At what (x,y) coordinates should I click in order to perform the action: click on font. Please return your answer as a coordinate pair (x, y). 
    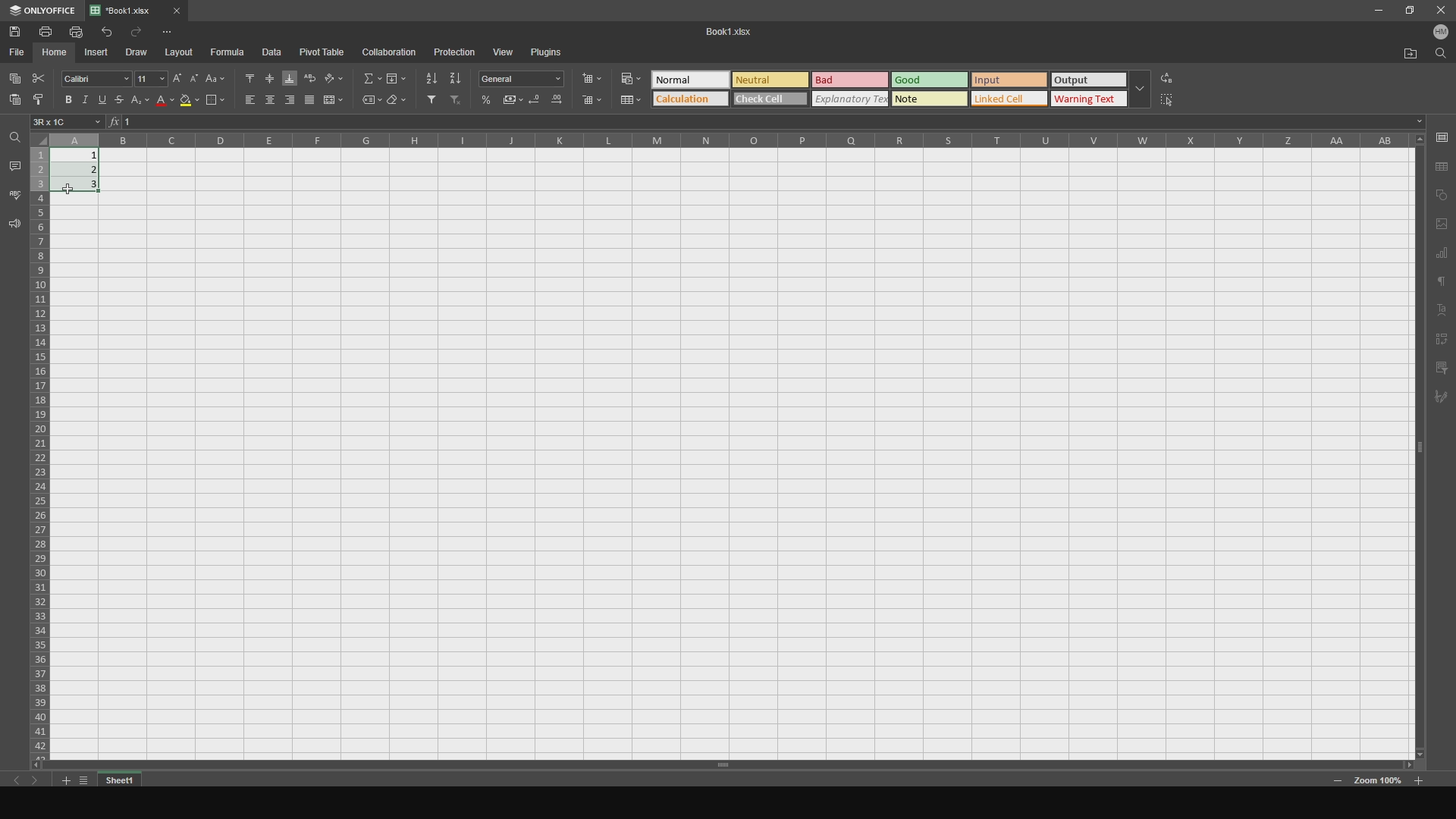
    Looking at the image, I should click on (92, 77).